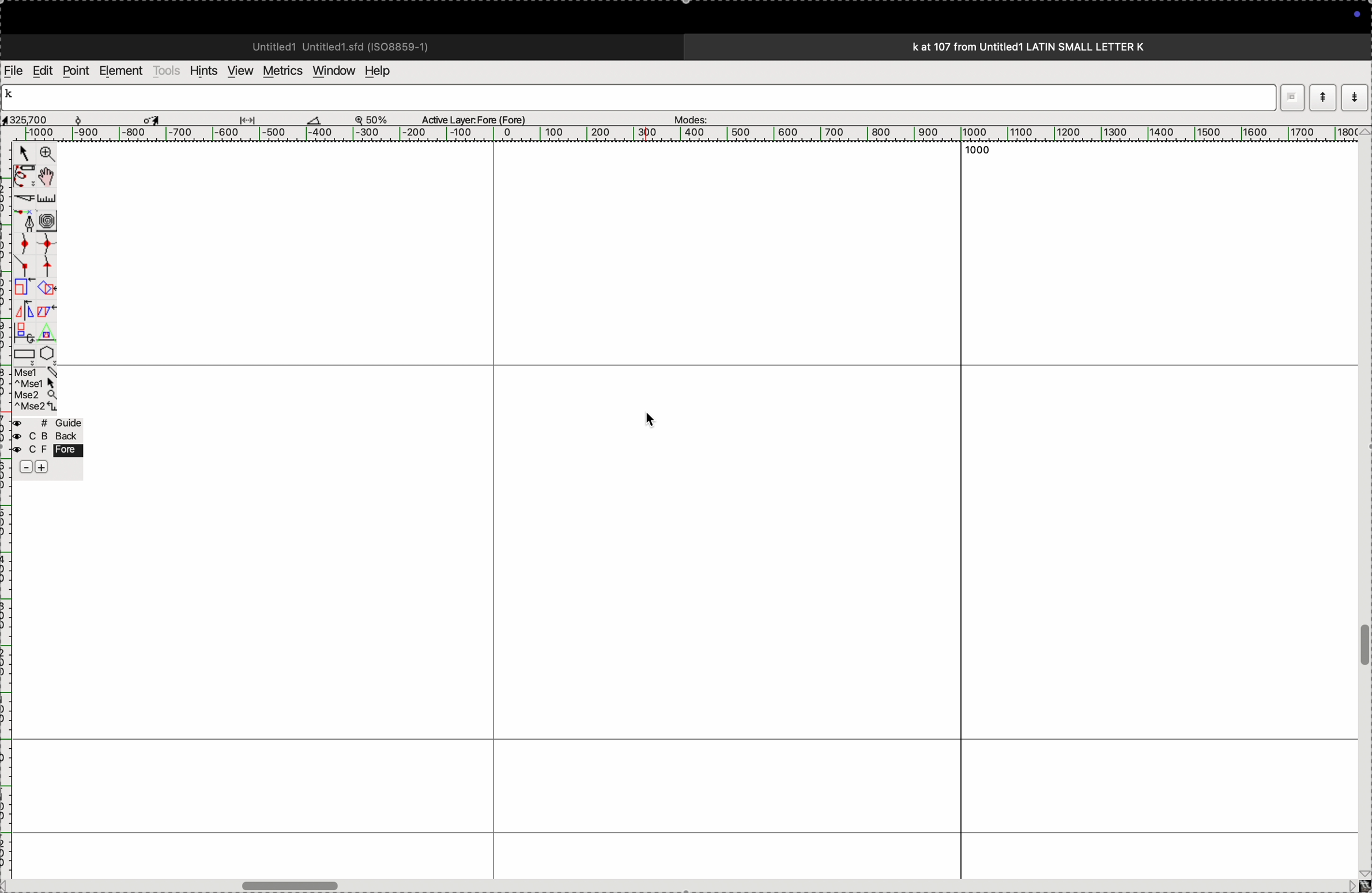 The width and height of the screenshot is (1372, 893). I want to click on modeup, so click(1322, 97).